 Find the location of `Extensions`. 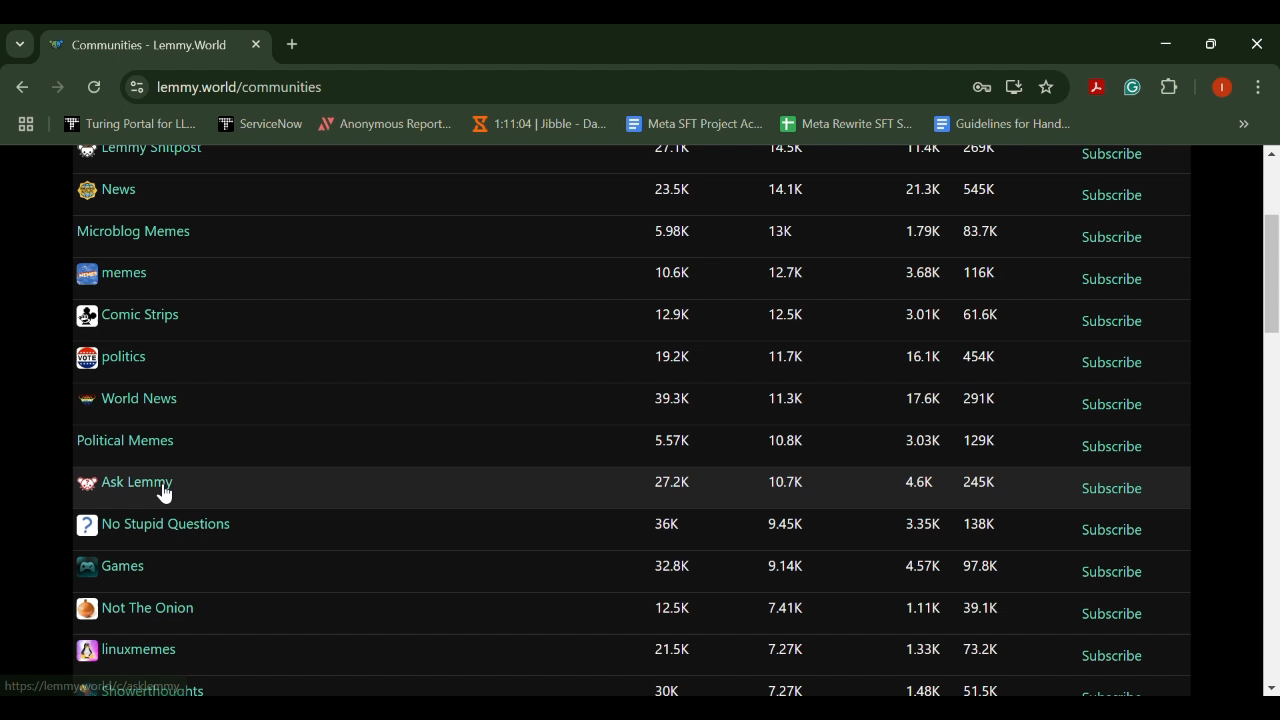

Extensions is located at coordinates (1170, 88).